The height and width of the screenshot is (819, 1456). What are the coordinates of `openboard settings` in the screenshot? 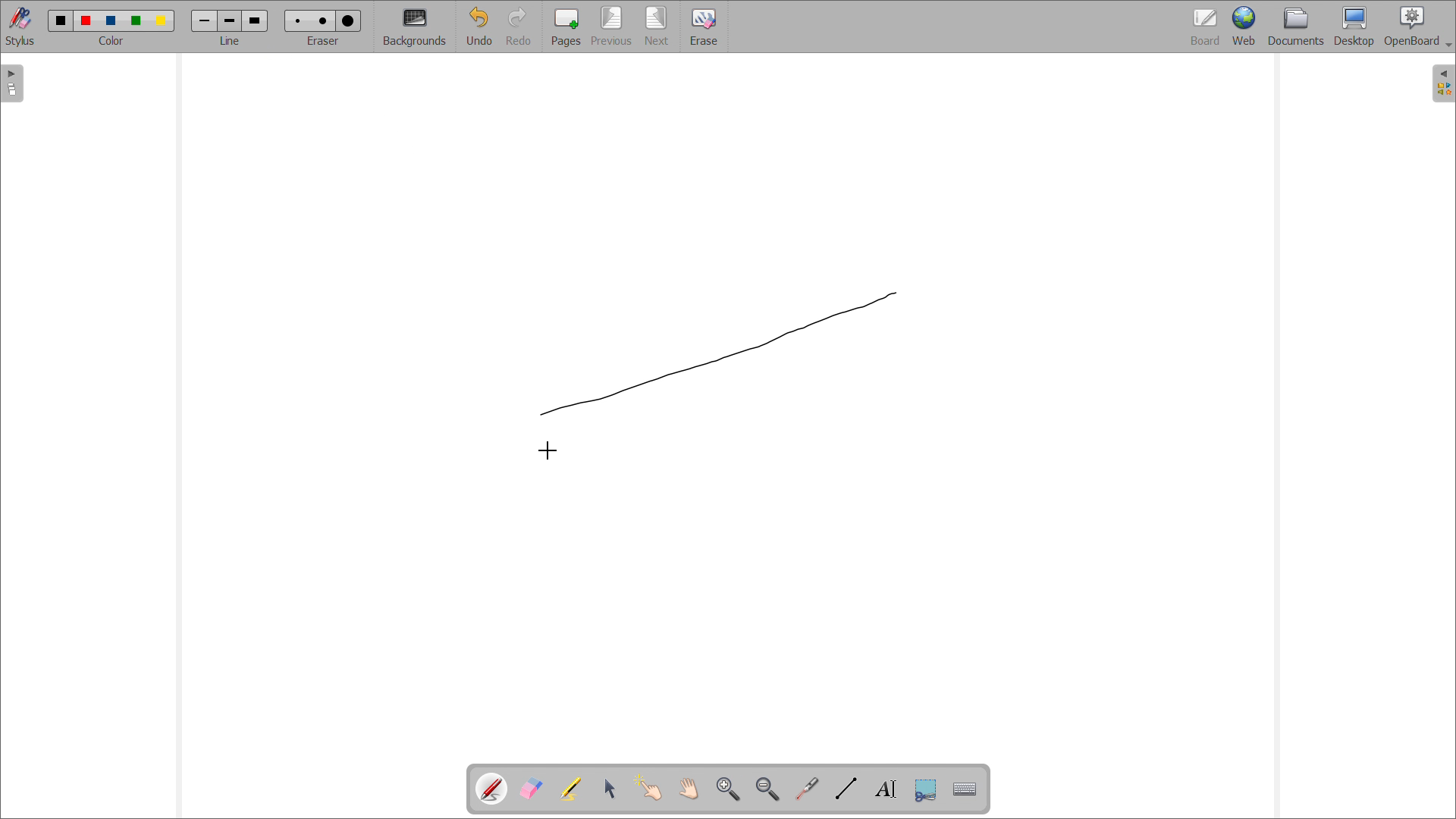 It's located at (1417, 27).